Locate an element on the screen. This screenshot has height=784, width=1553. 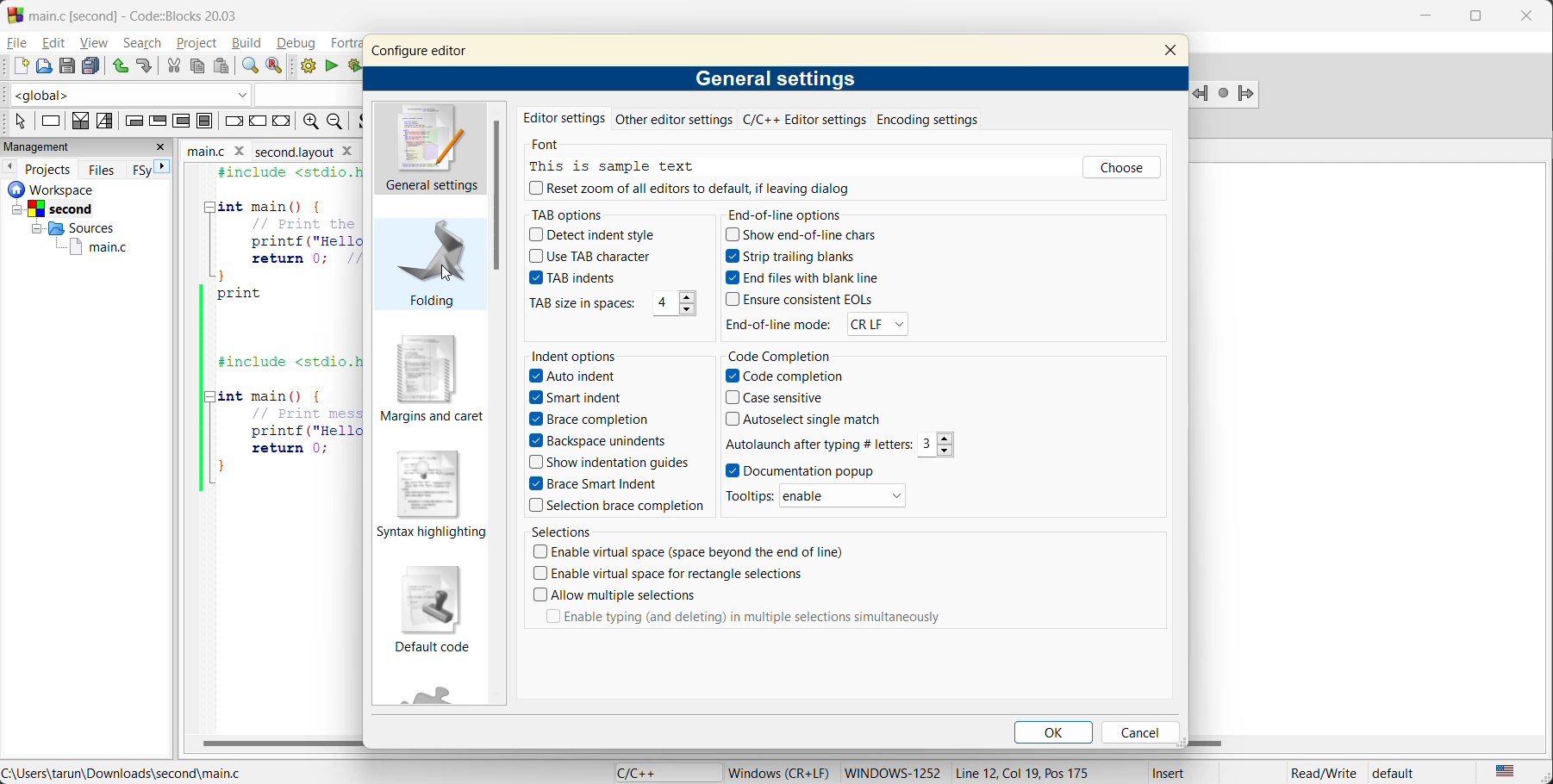
cancel is located at coordinates (1144, 734).